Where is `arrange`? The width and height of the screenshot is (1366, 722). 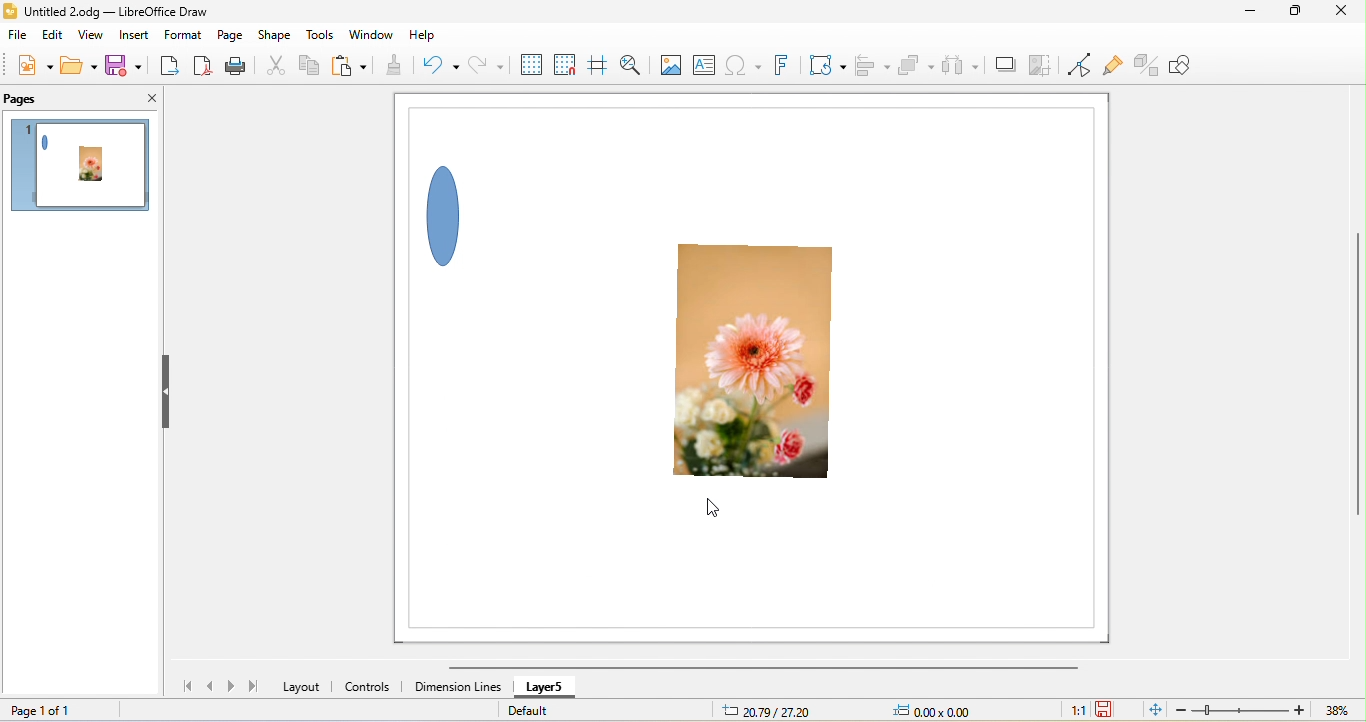 arrange is located at coordinates (903, 64).